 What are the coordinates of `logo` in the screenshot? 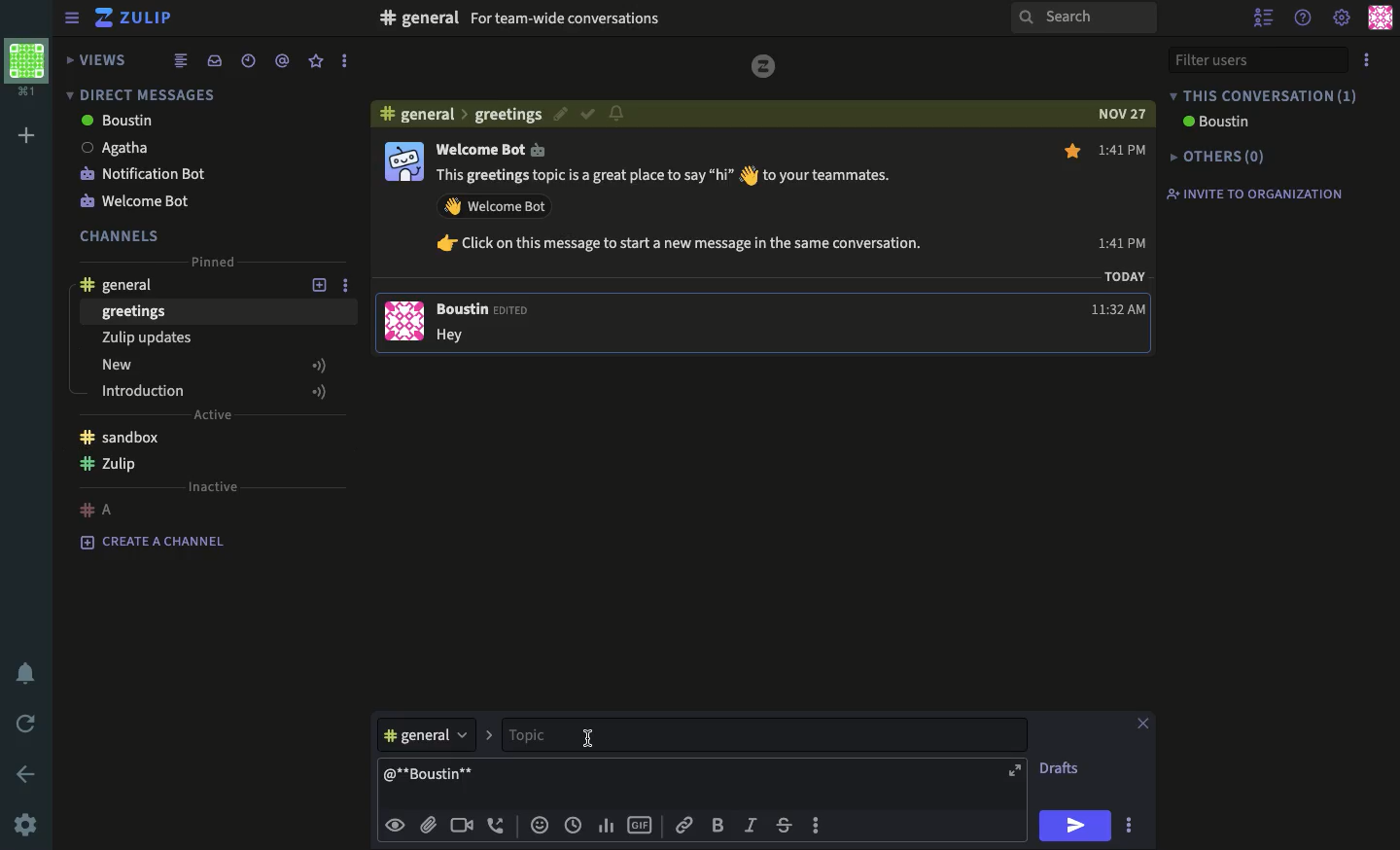 It's located at (764, 66).